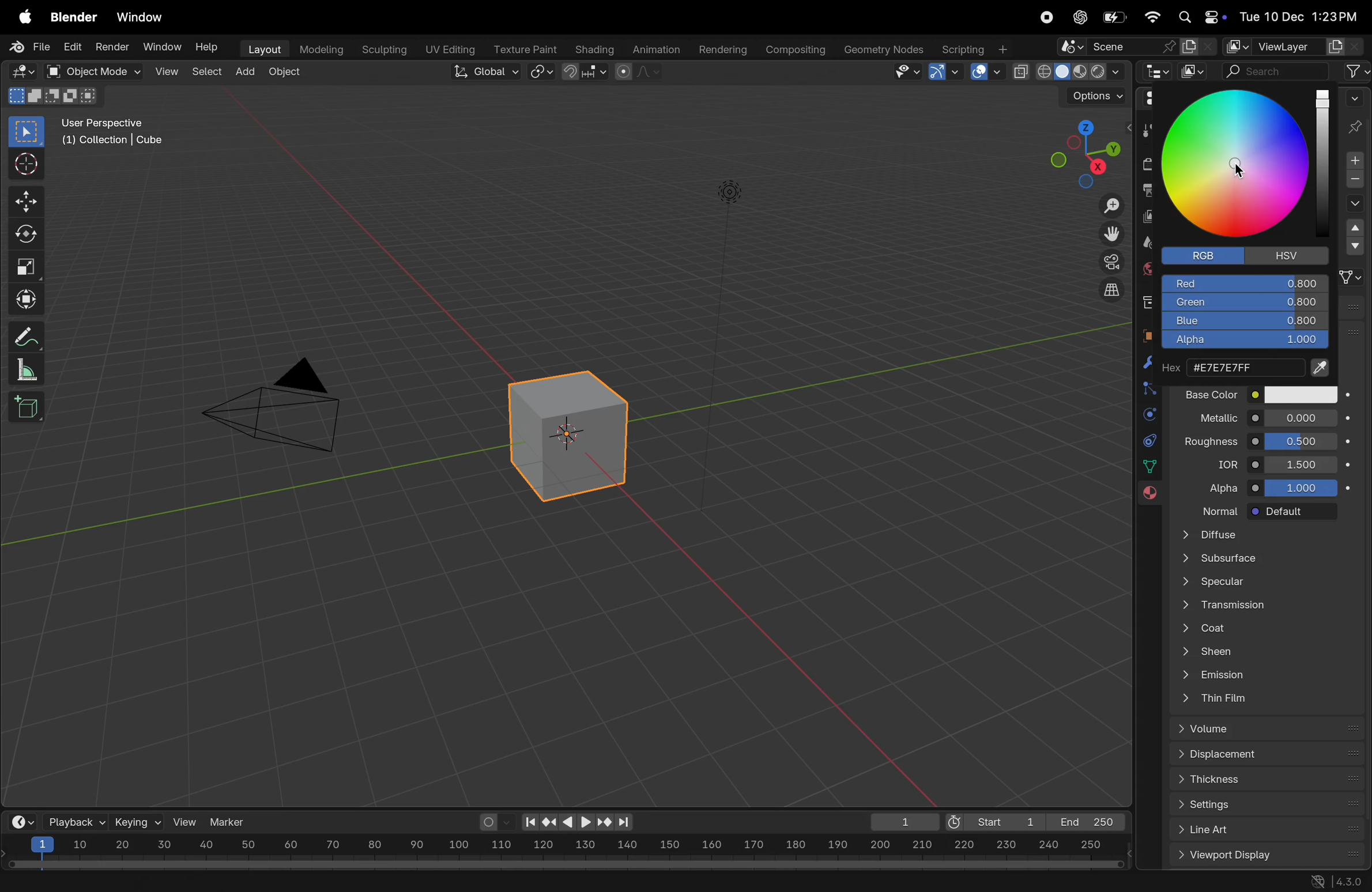  Describe the element at coordinates (1294, 255) in the screenshot. I see `hsv` at that location.